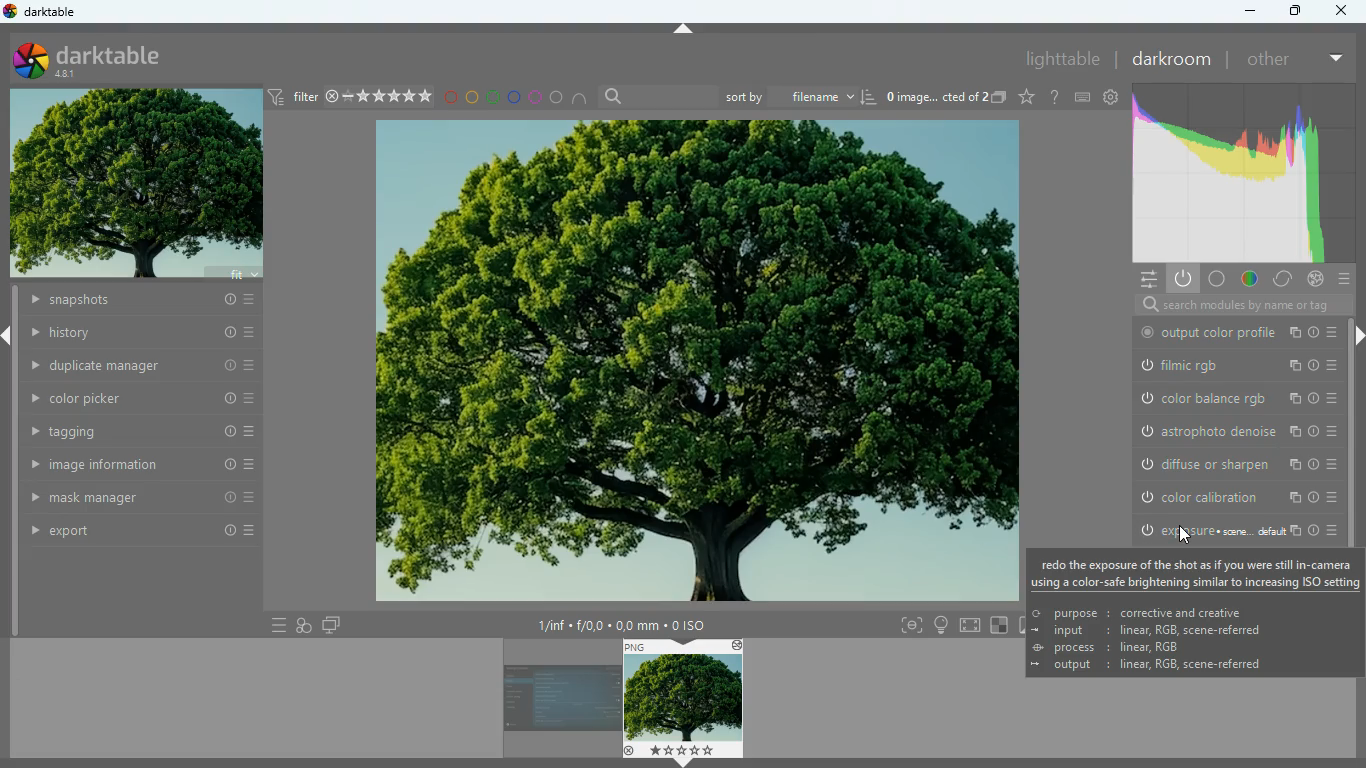  I want to click on lighttable, so click(1063, 59).